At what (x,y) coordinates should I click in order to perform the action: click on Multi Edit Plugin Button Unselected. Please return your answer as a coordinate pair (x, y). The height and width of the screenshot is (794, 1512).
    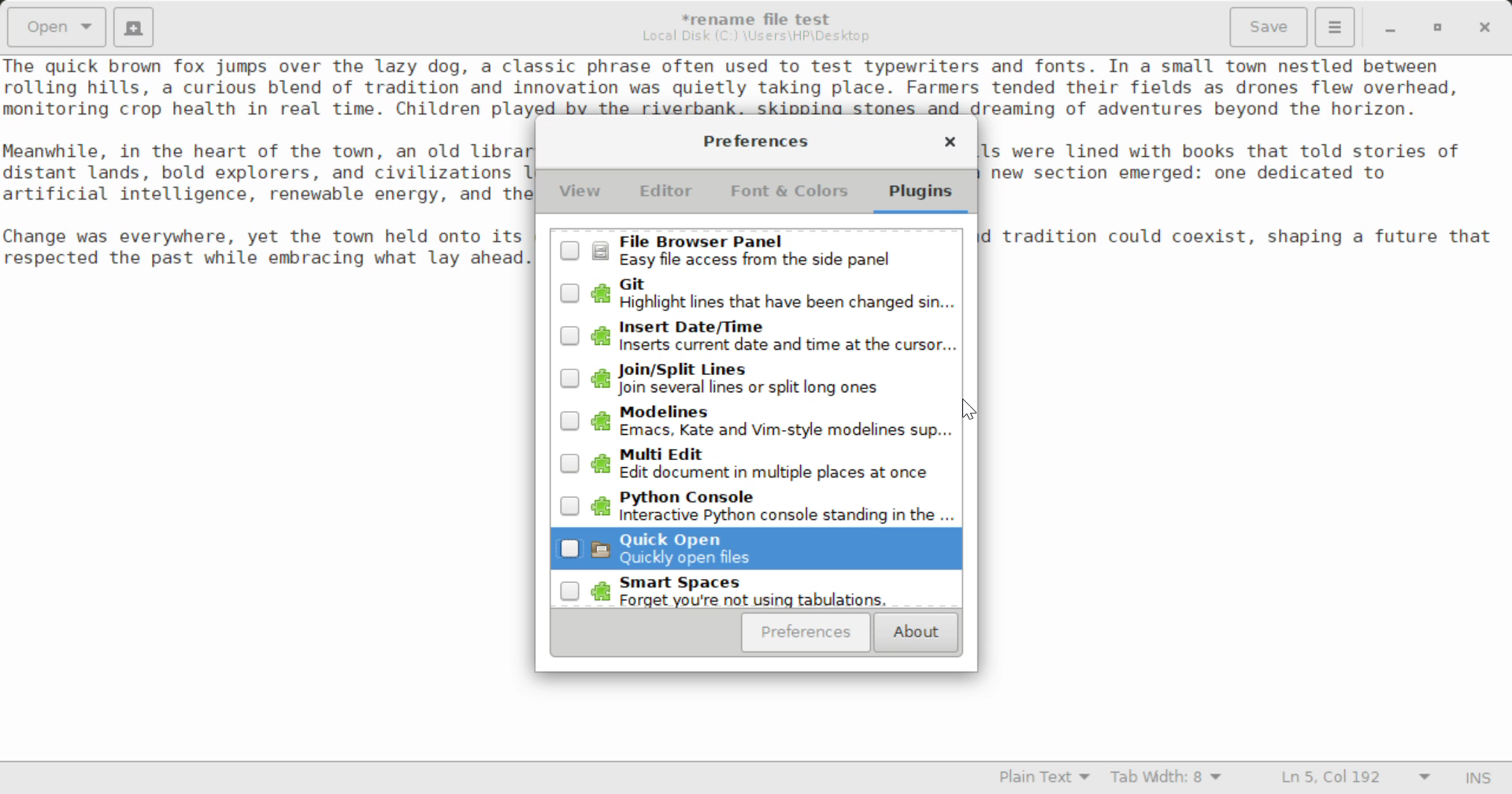
    Looking at the image, I should click on (755, 464).